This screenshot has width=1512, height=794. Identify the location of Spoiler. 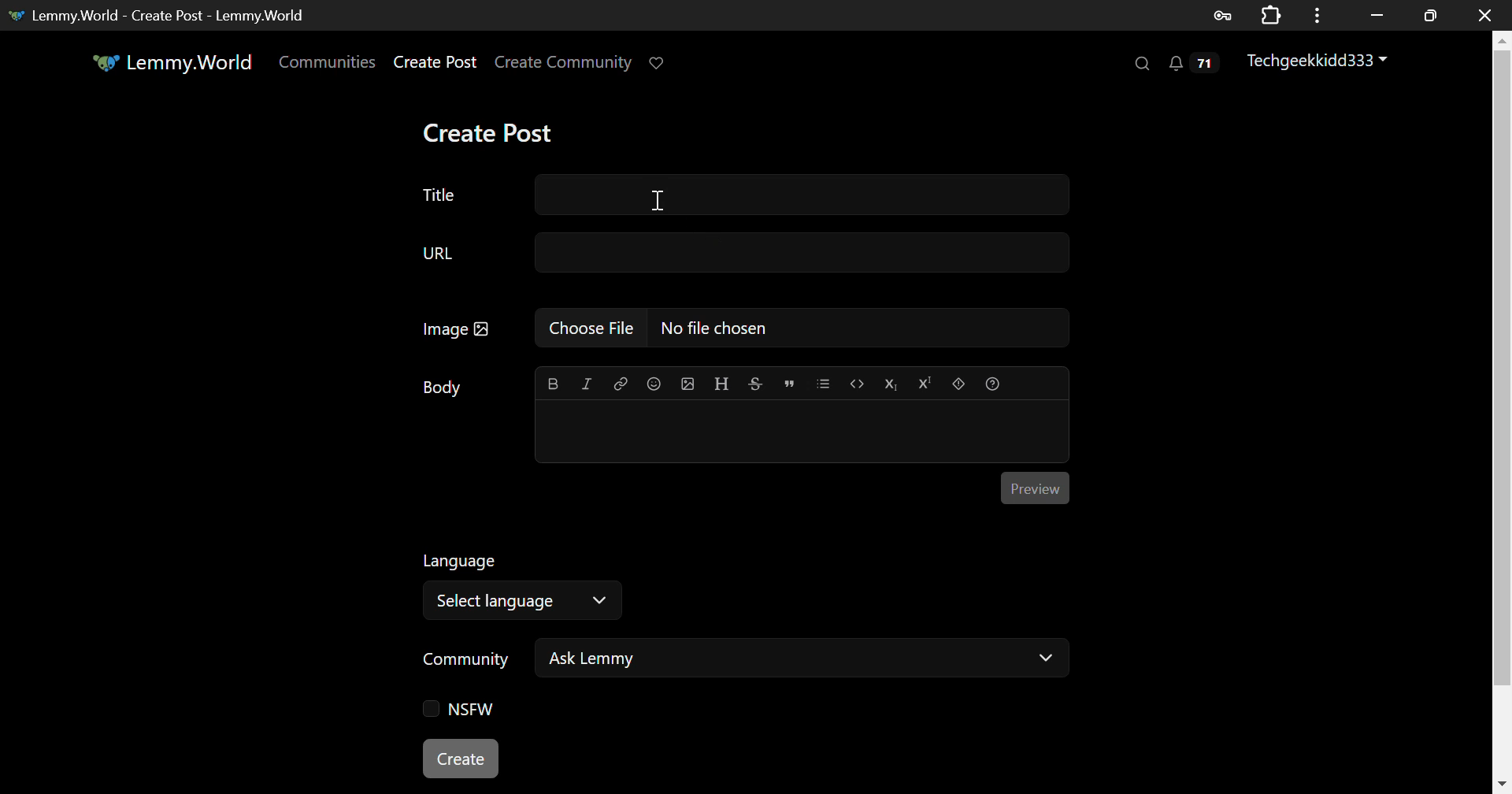
(959, 384).